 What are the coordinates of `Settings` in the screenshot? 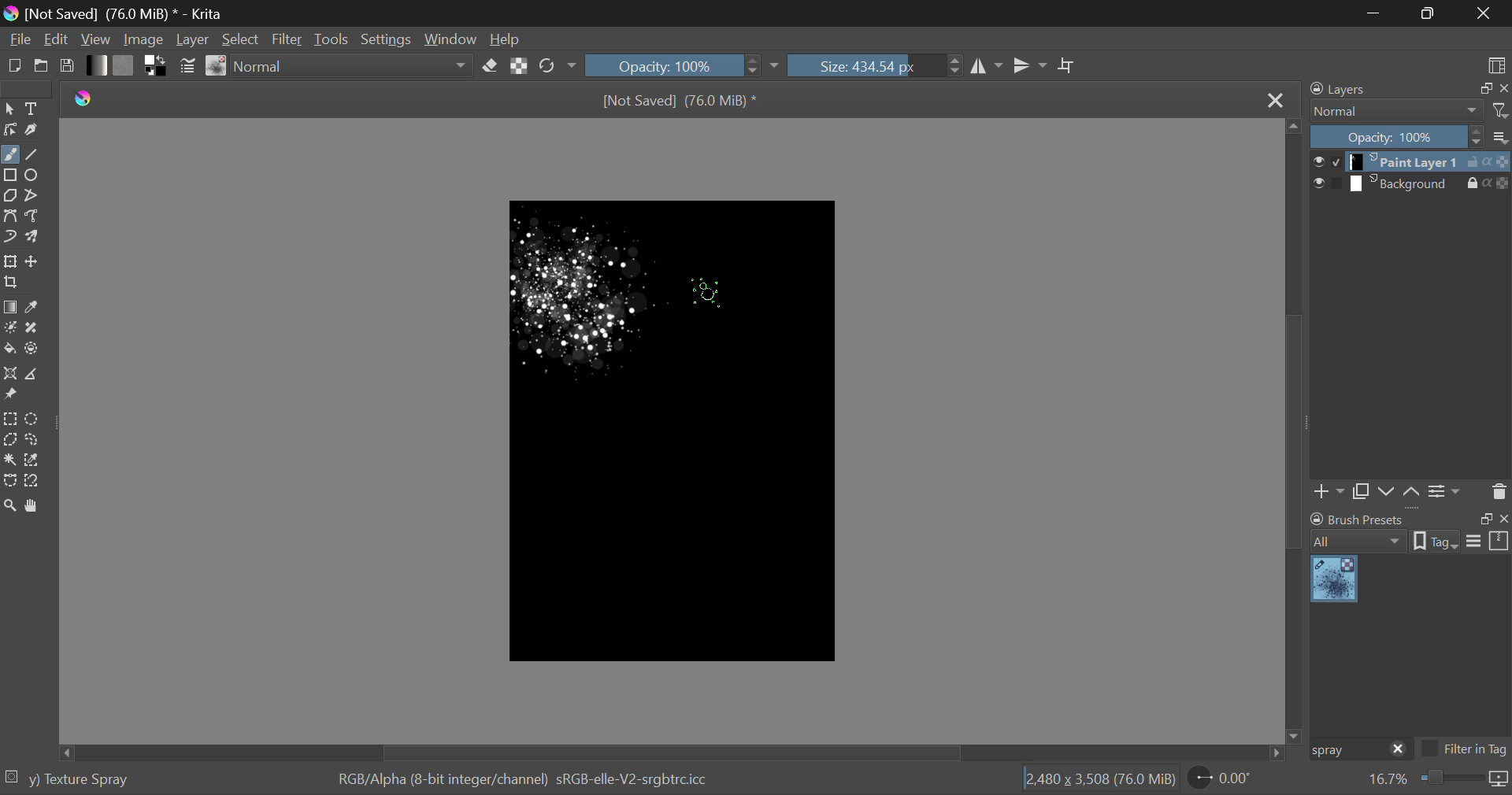 It's located at (1447, 492).